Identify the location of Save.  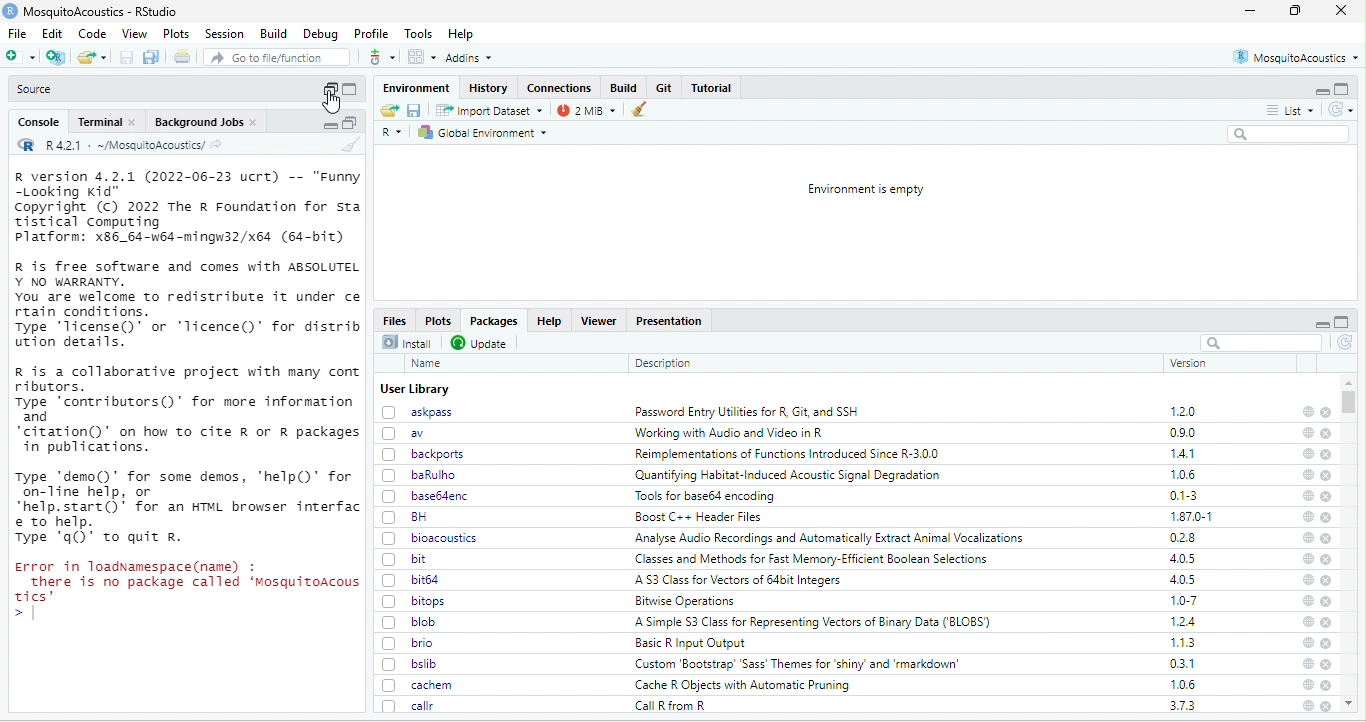
(415, 110).